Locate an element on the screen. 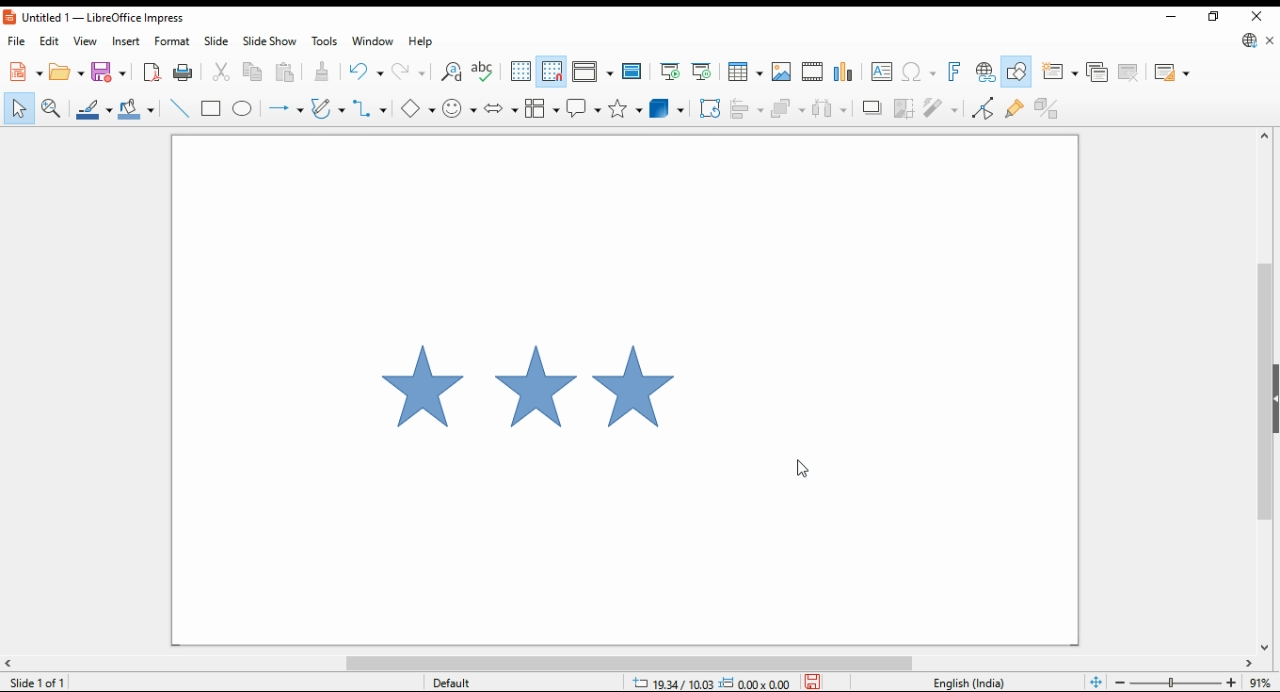  master slide is located at coordinates (633, 71).